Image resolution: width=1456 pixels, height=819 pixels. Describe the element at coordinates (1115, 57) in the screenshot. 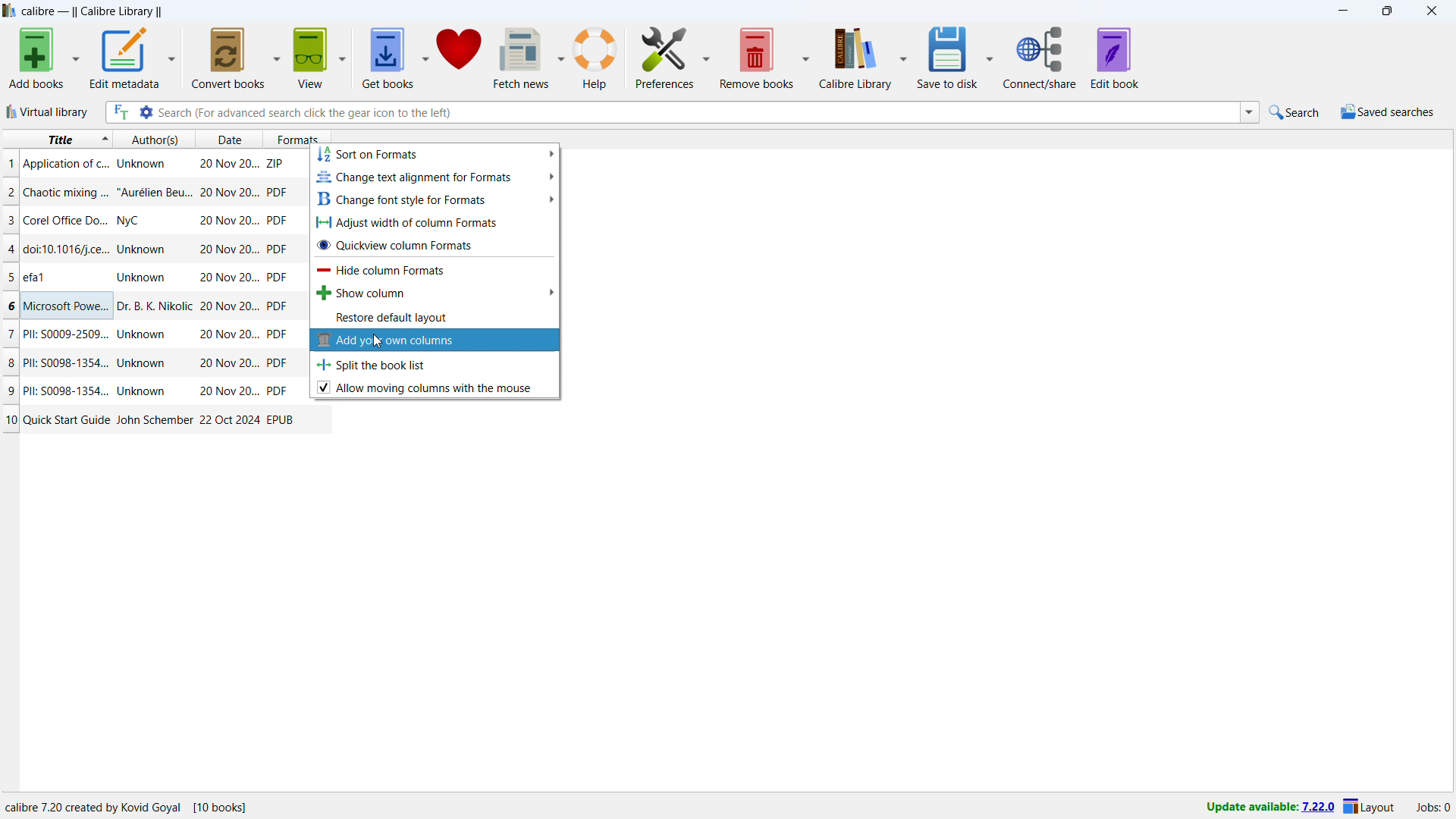

I see `edit book` at that location.